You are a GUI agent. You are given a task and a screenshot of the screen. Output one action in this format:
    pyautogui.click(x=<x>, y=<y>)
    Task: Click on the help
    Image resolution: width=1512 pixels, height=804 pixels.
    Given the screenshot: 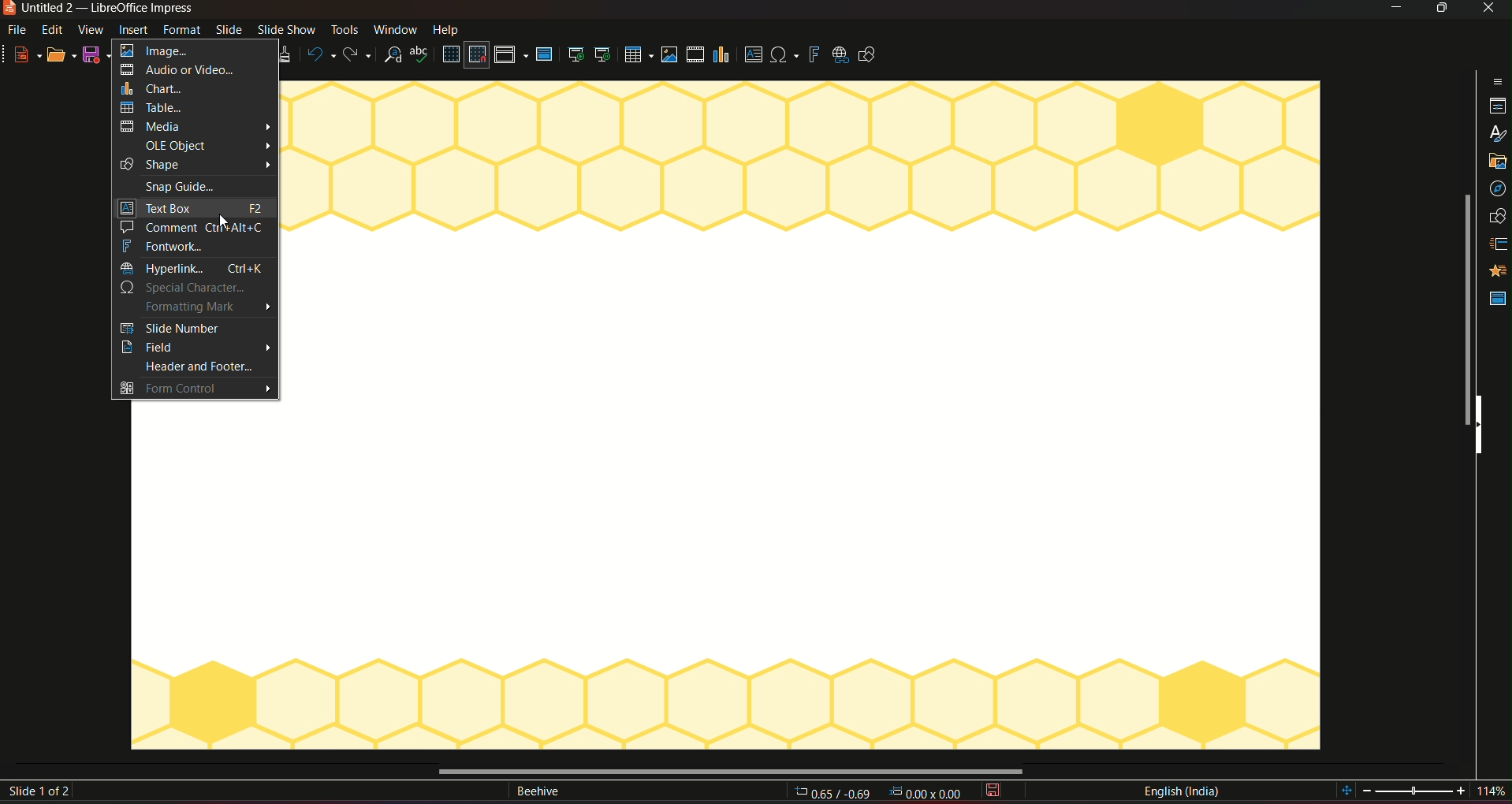 What is the action you would take?
    pyautogui.click(x=448, y=28)
    